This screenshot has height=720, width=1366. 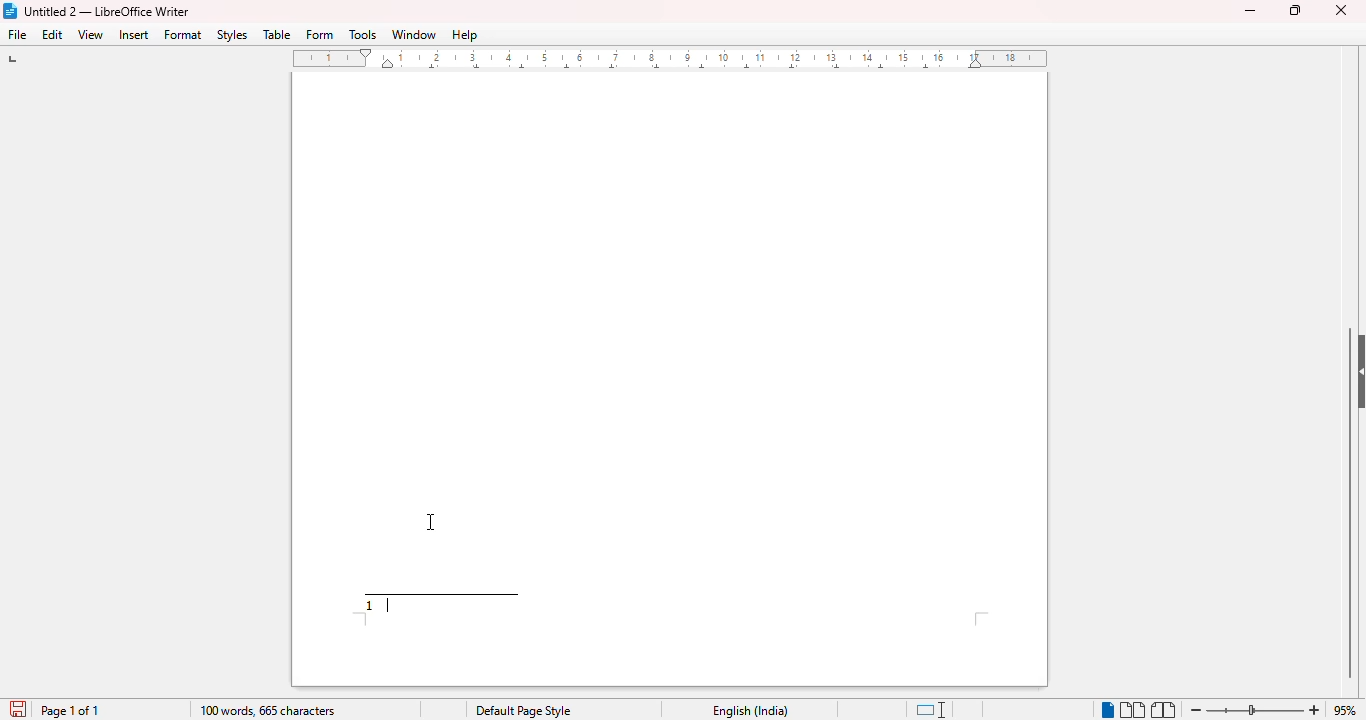 What do you see at coordinates (134, 34) in the screenshot?
I see `insert` at bounding box center [134, 34].